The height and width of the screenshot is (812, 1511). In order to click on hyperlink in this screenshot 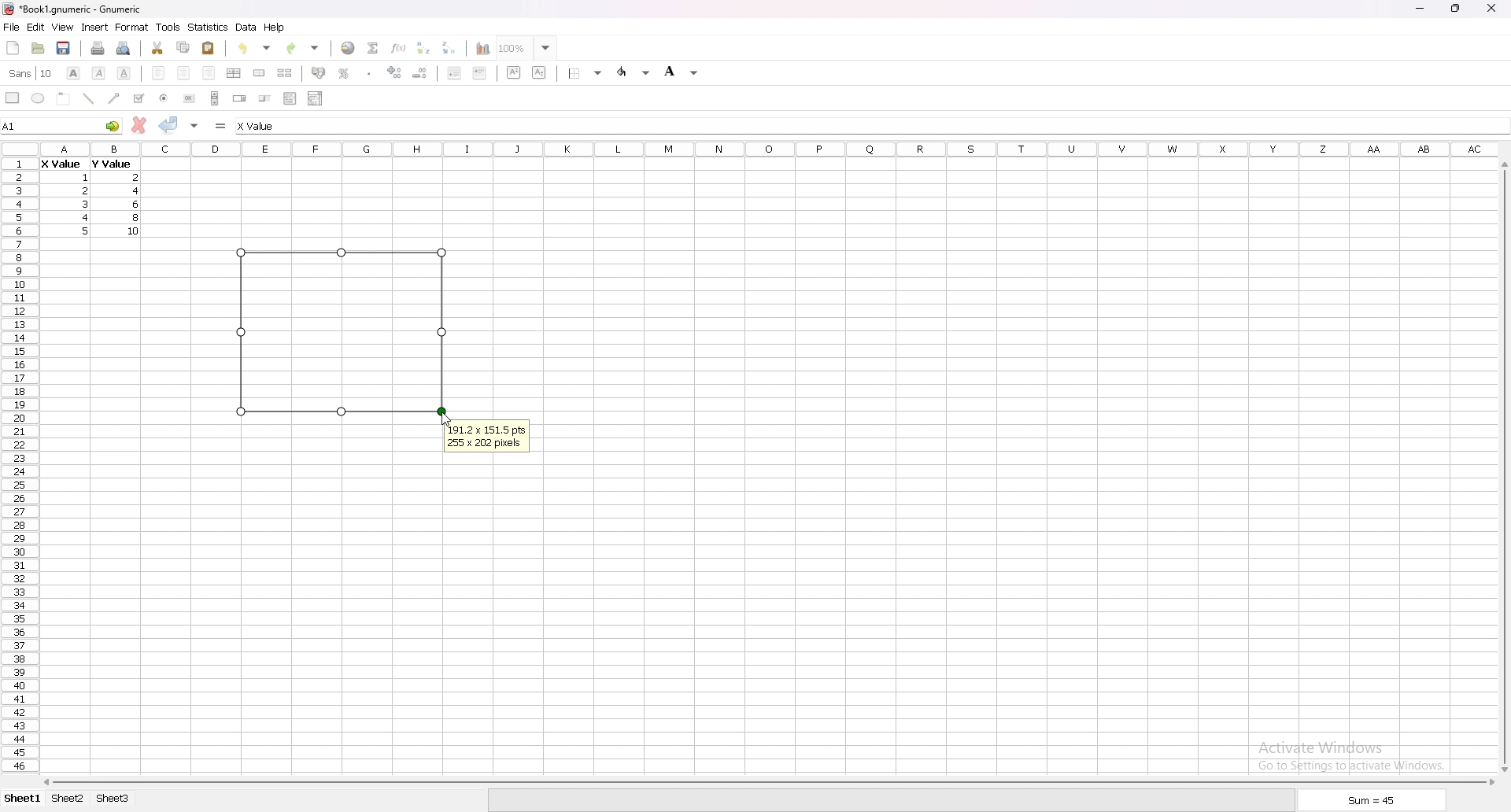, I will do `click(348, 48)`.